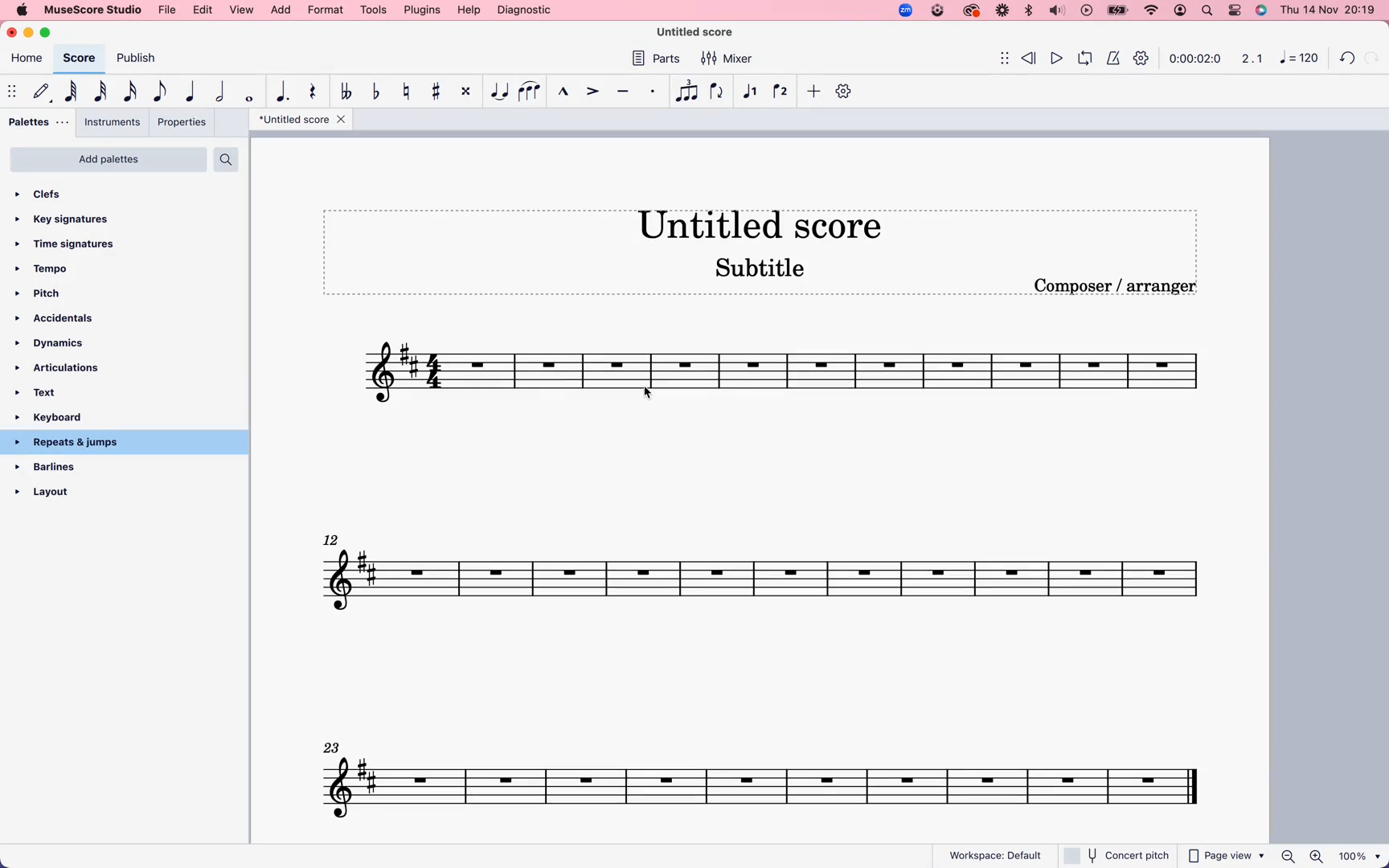  Describe the element at coordinates (626, 92) in the screenshot. I see `tenuto` at that location.